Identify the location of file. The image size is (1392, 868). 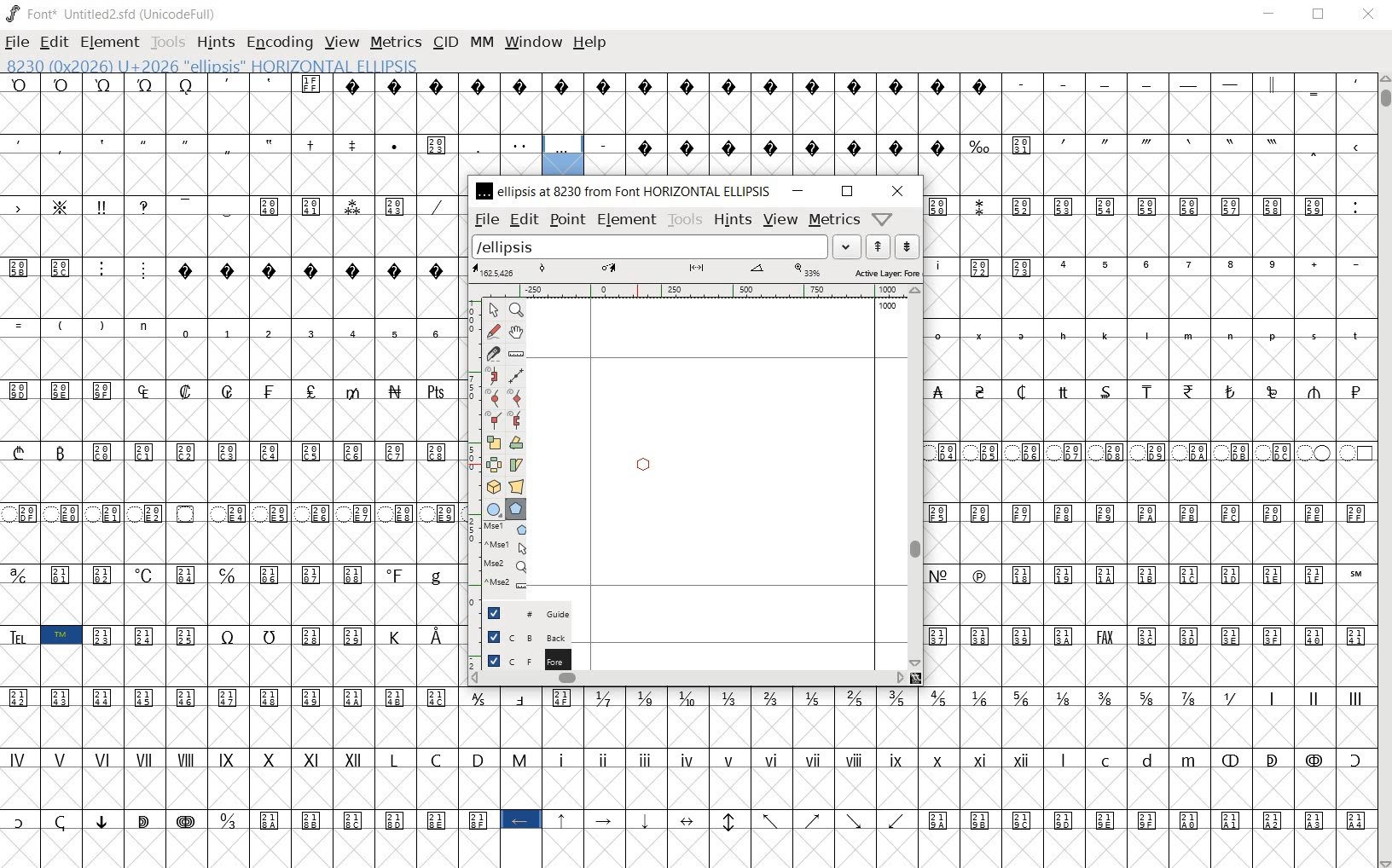
(485, 219).